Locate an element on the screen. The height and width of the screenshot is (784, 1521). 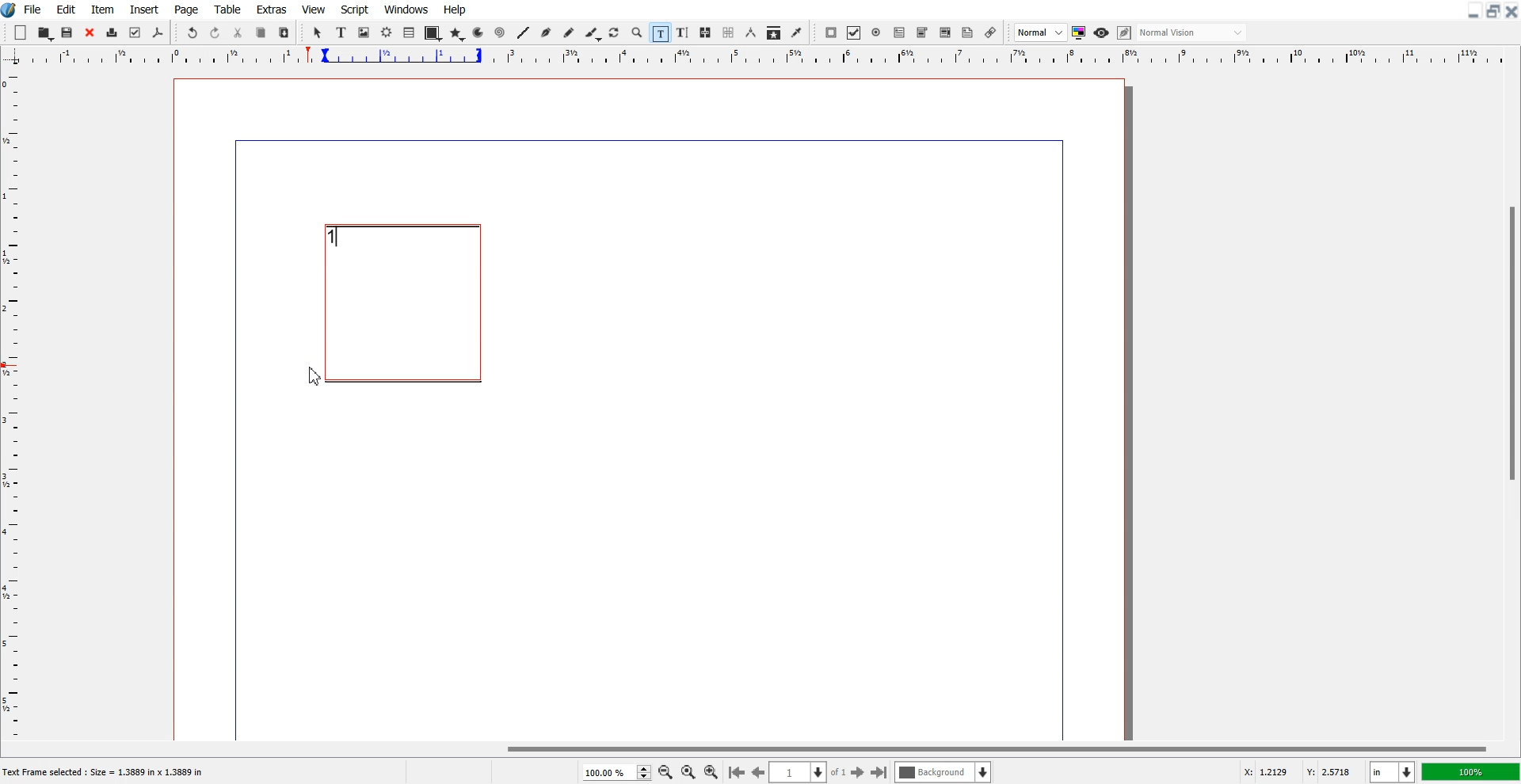
Select the visual appearance is located at coordinates (1191, 32).